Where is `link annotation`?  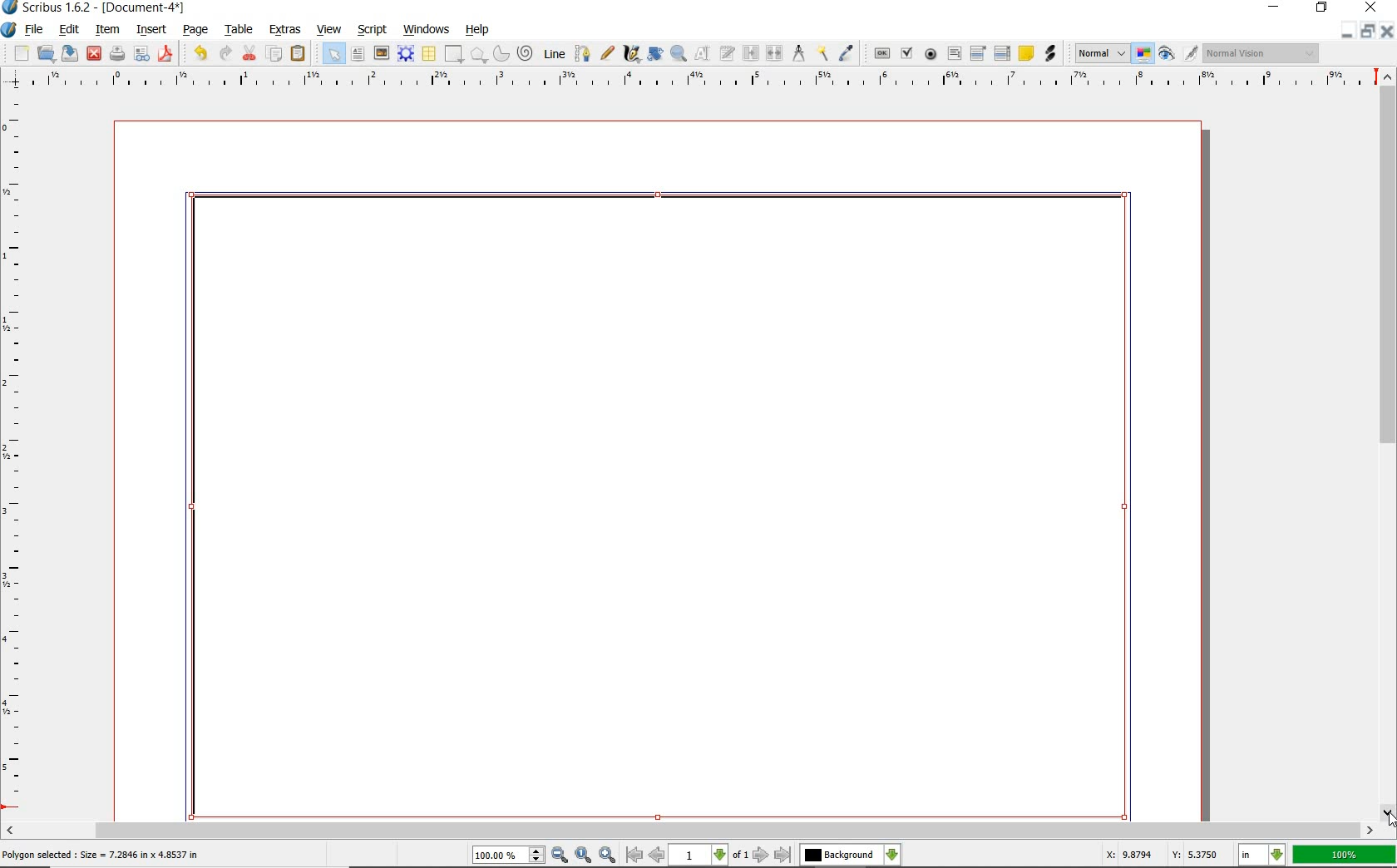 link annotation is located at coordinates (1049, 55).